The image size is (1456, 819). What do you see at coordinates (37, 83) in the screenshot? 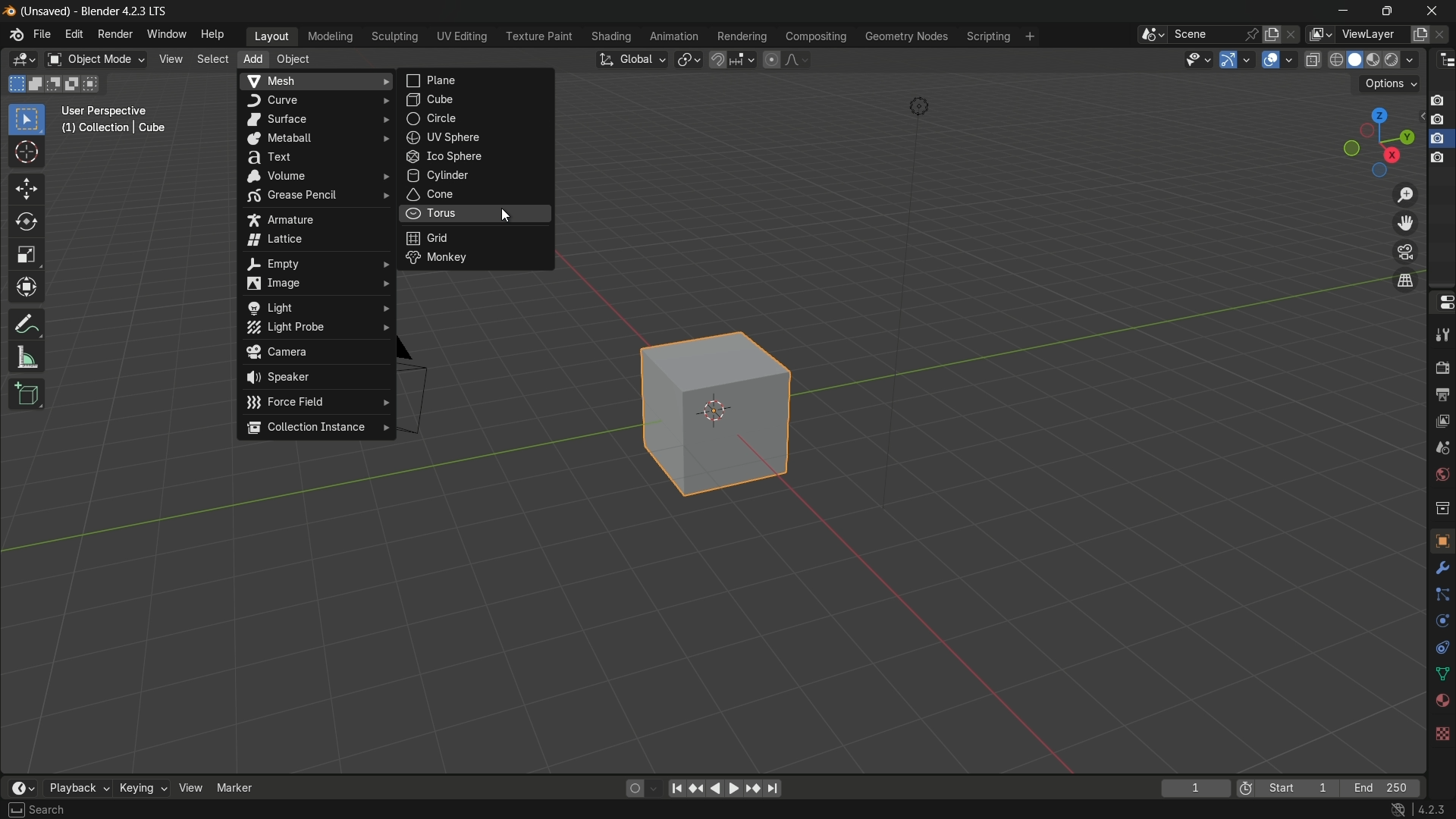
I see `extend existing selection` at bounding box center [37, 83].